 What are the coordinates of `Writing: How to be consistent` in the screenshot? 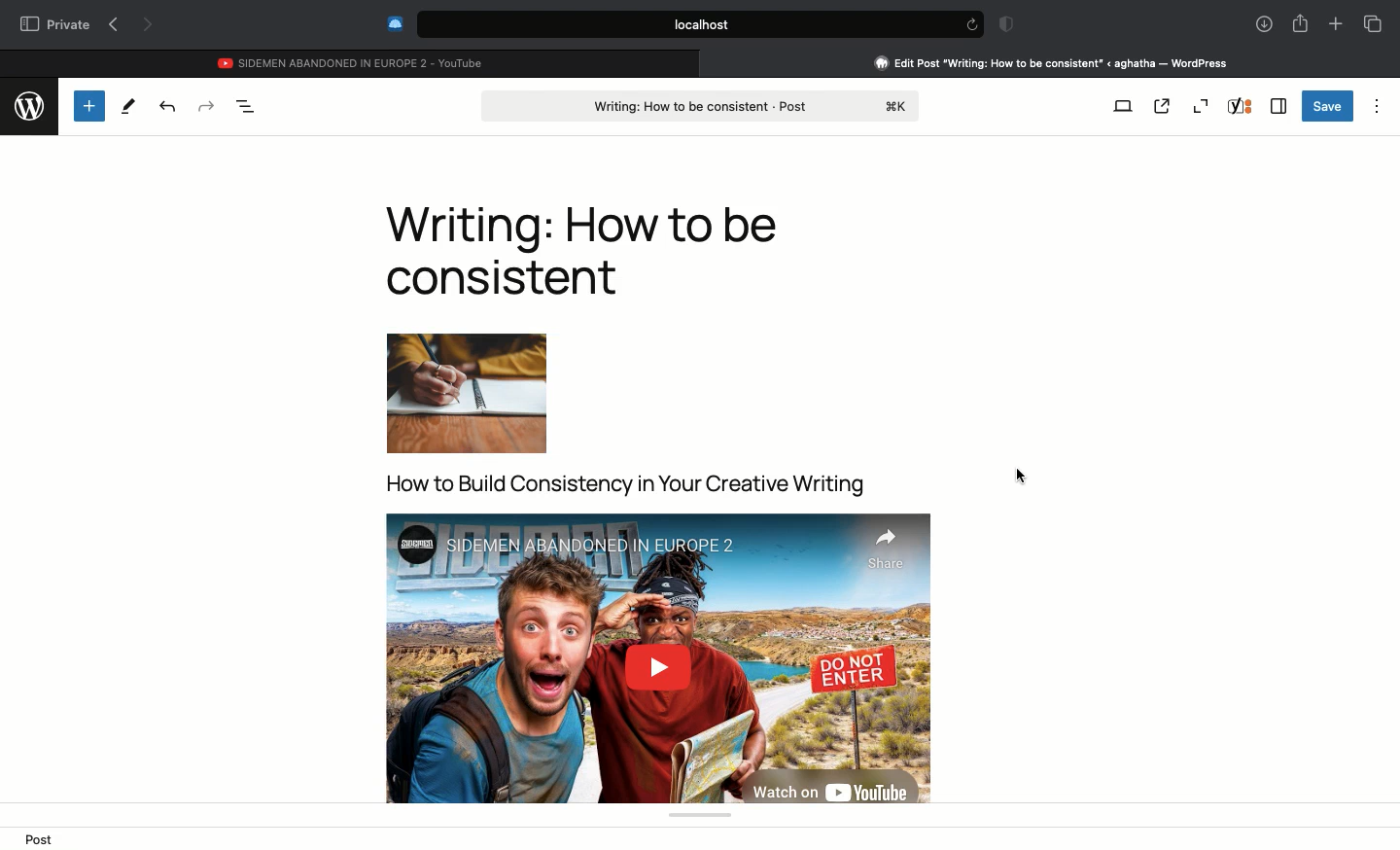 It's located at (587, 249).